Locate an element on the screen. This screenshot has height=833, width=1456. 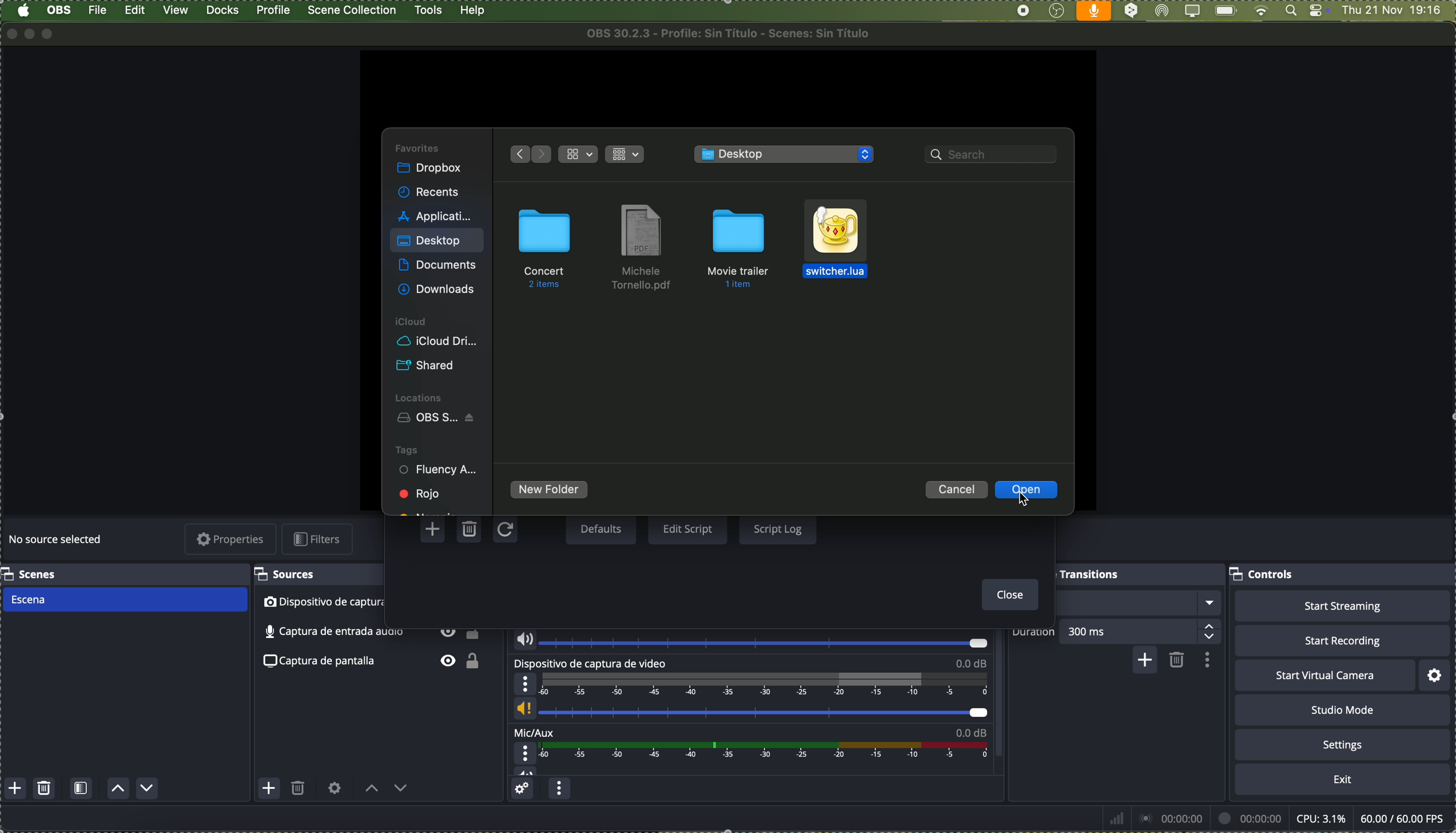
move scene down is located at coordinates (148, 788).